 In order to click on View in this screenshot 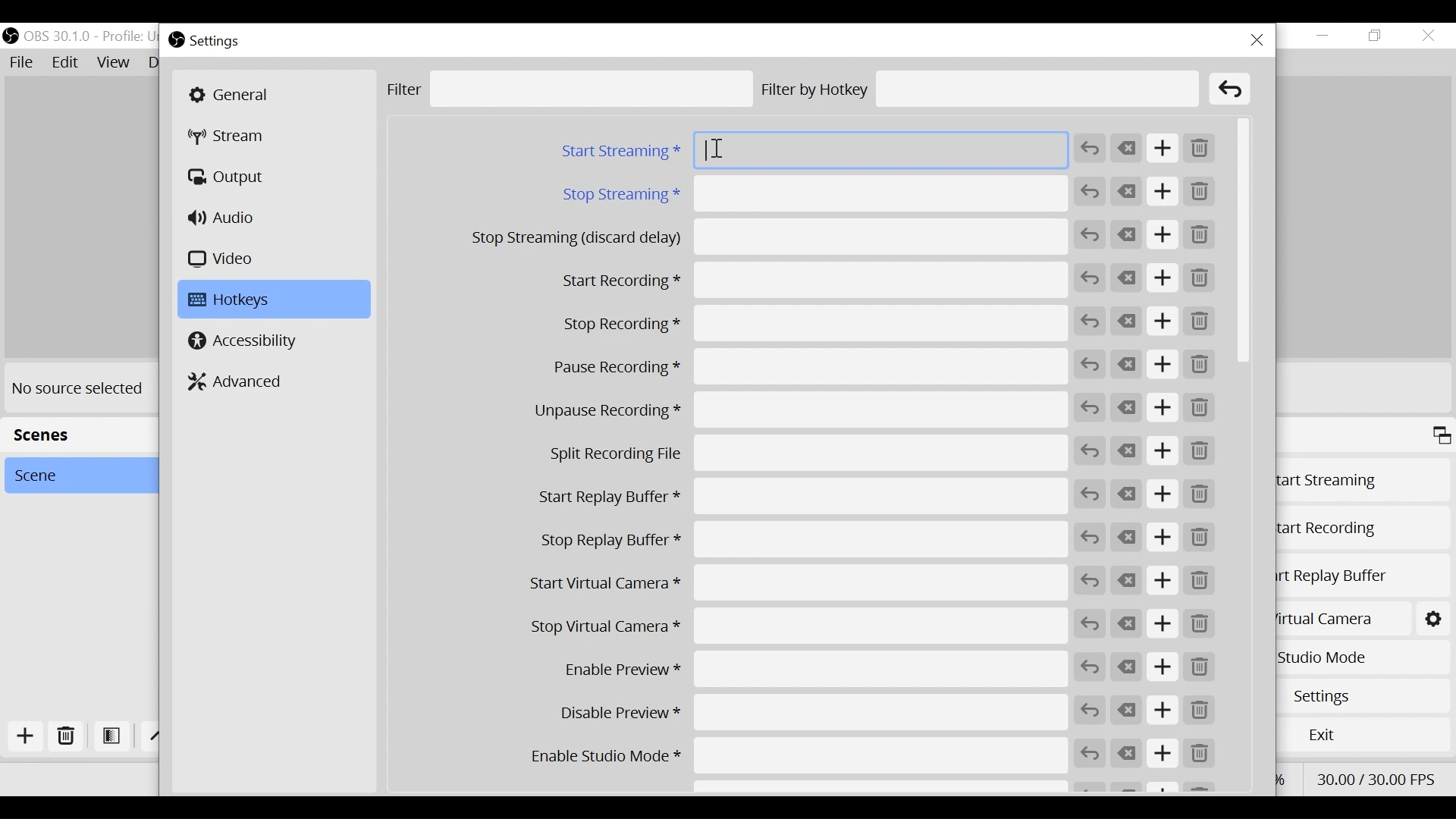, I will do `click(115, 62)`.